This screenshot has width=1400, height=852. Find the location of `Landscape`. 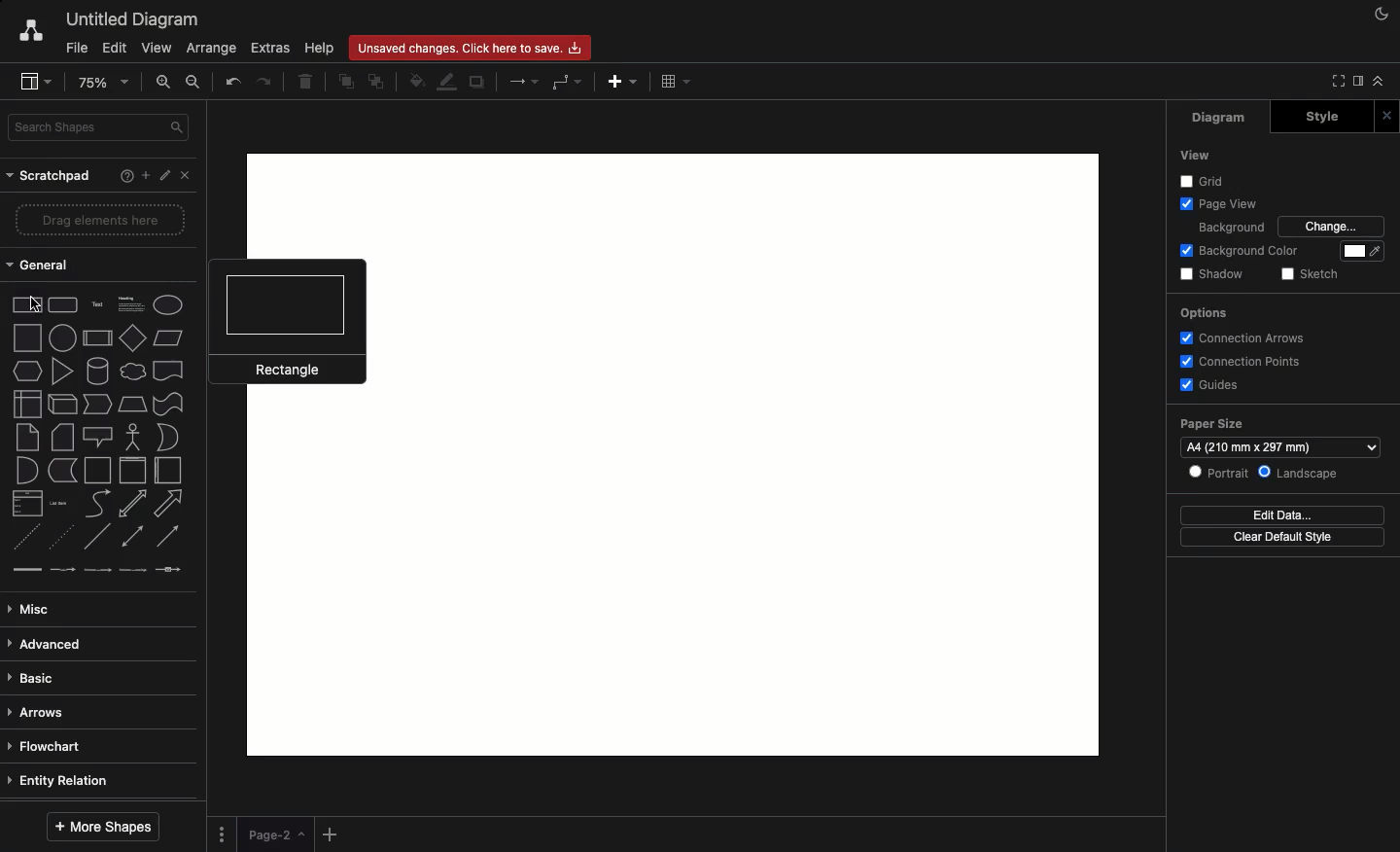

Landscape is located at coordinates (1297, 474).